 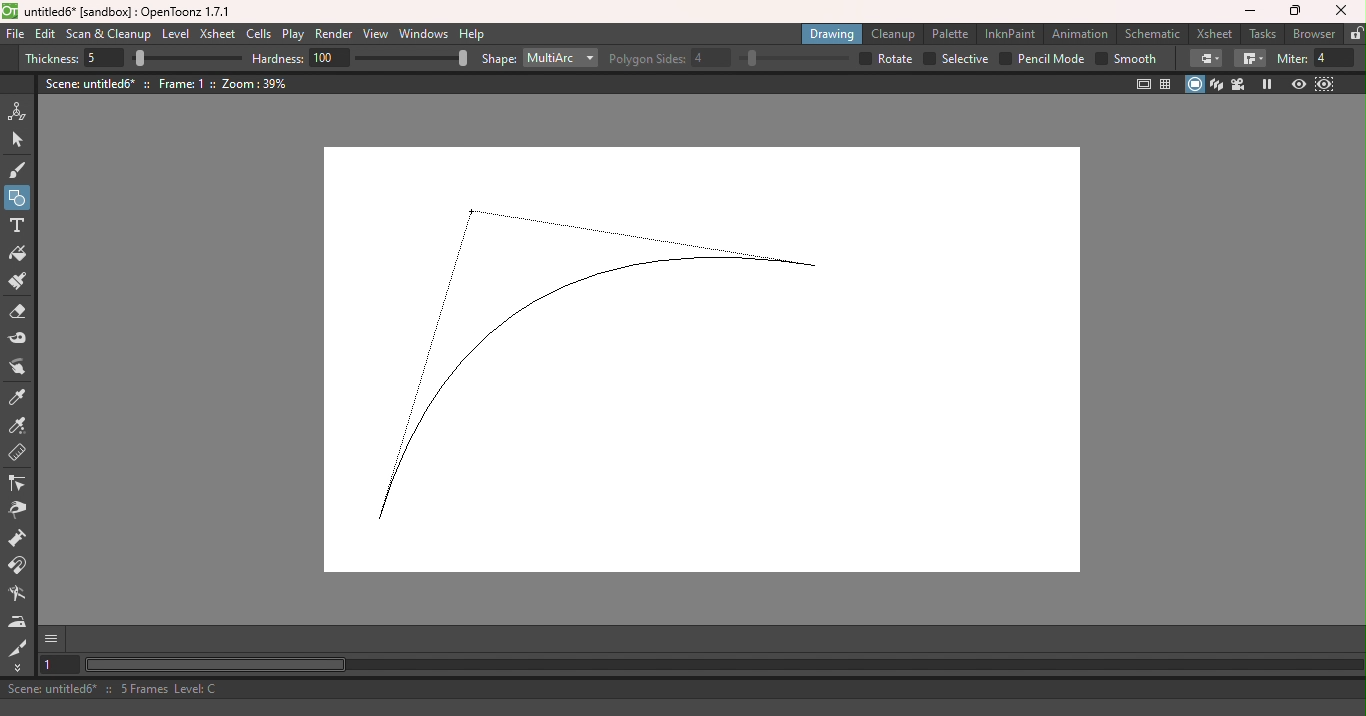 What do you see at coordinates (1269, 84) in the screenshot?
I see `Freeze` at bounding box center [1269, 84].